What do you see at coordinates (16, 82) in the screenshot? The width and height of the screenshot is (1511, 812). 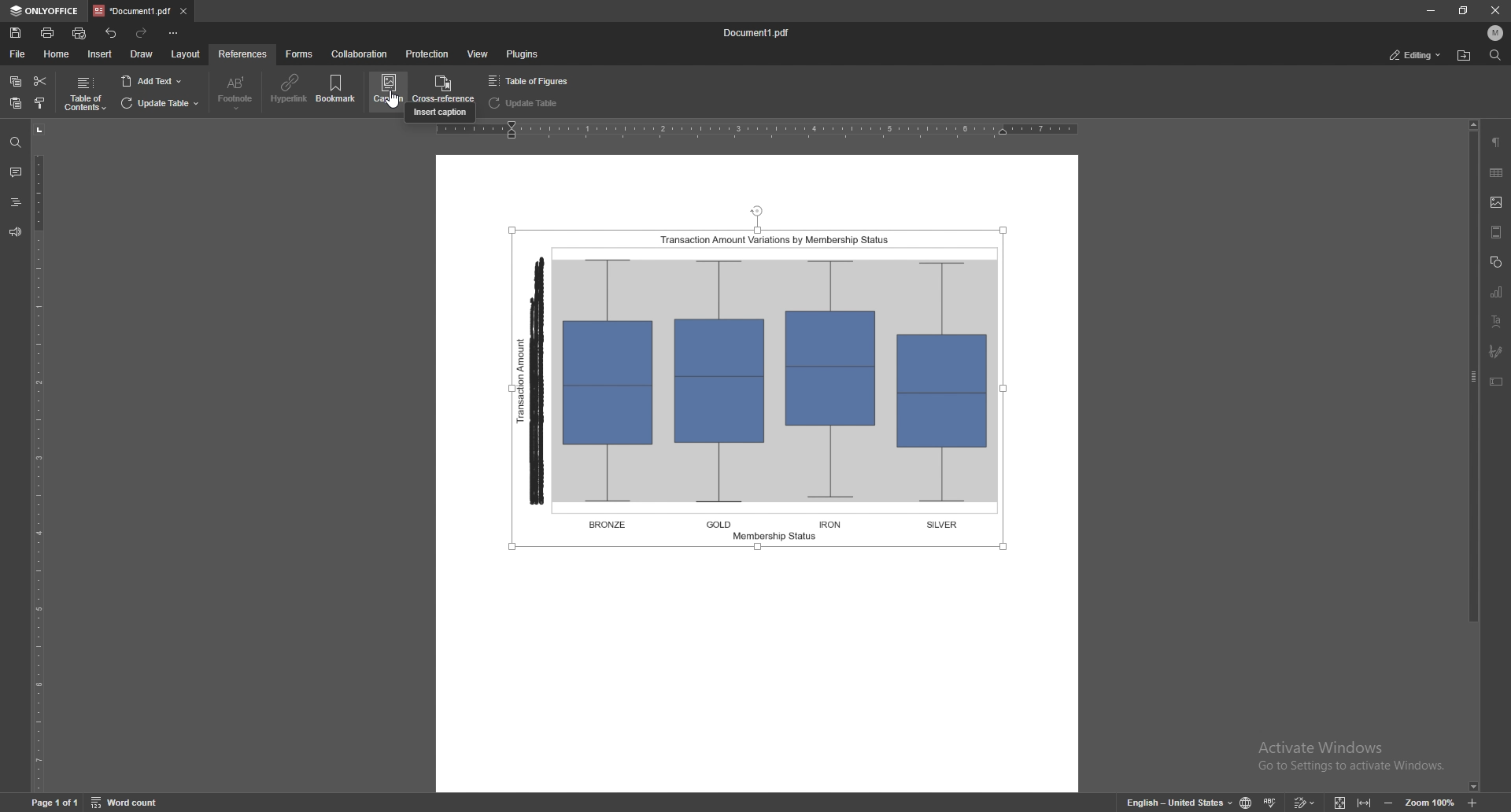 I see `copy` at bounding box center [16, 82].